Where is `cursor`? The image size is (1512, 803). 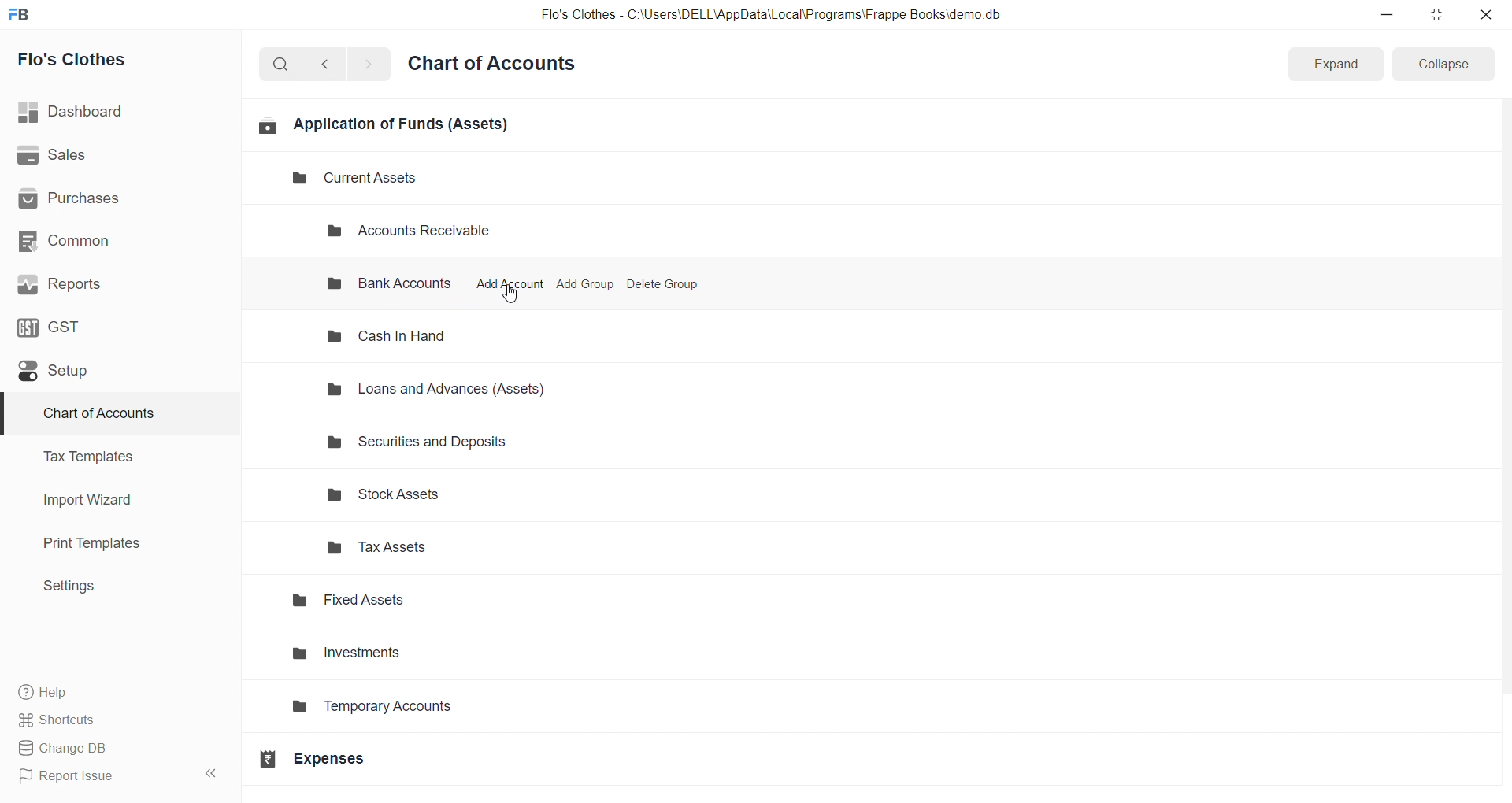
cursor is located at coordinates (511, 293).